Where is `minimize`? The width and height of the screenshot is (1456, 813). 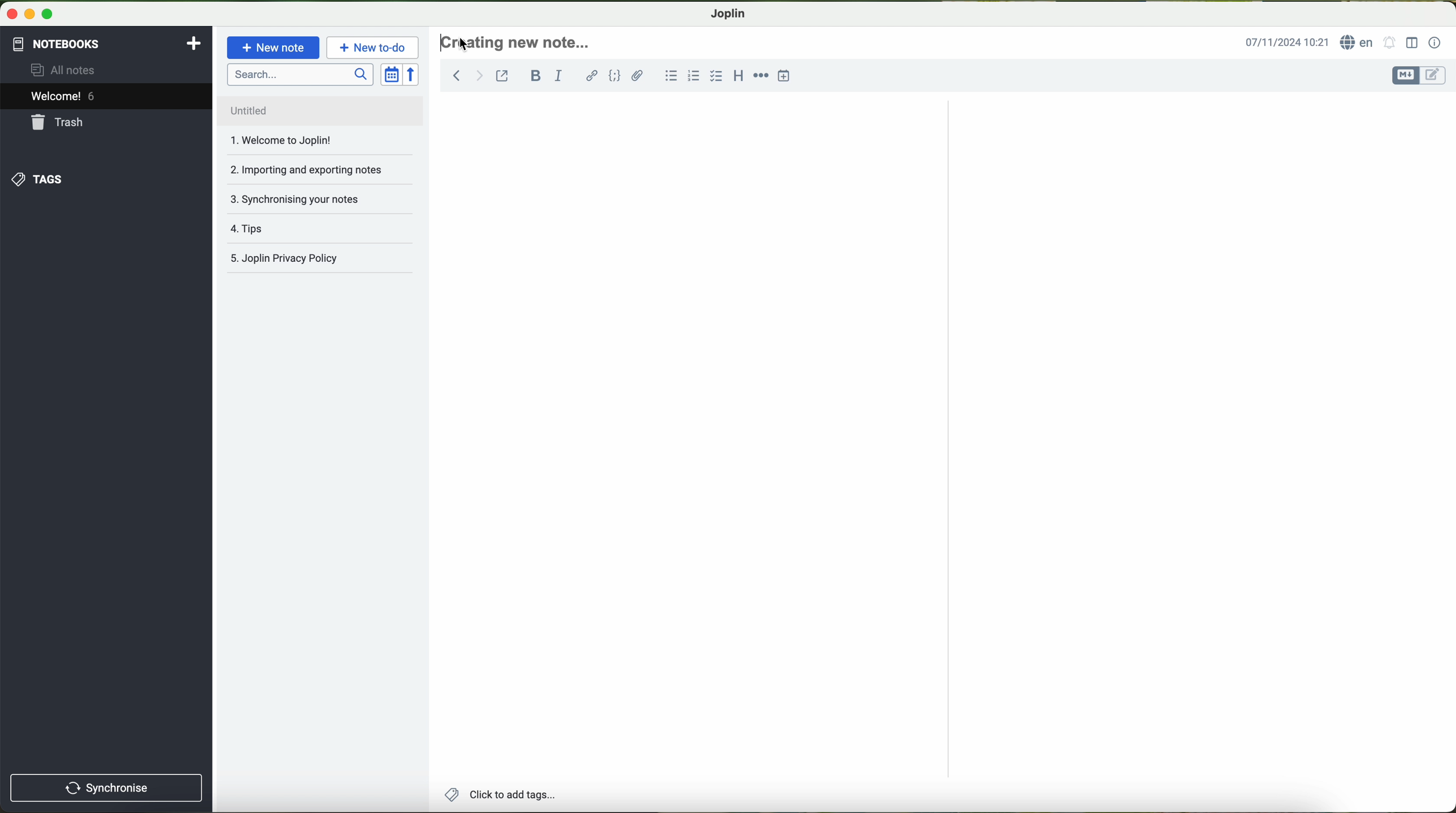 minimize is located at coordinates (27, 13).